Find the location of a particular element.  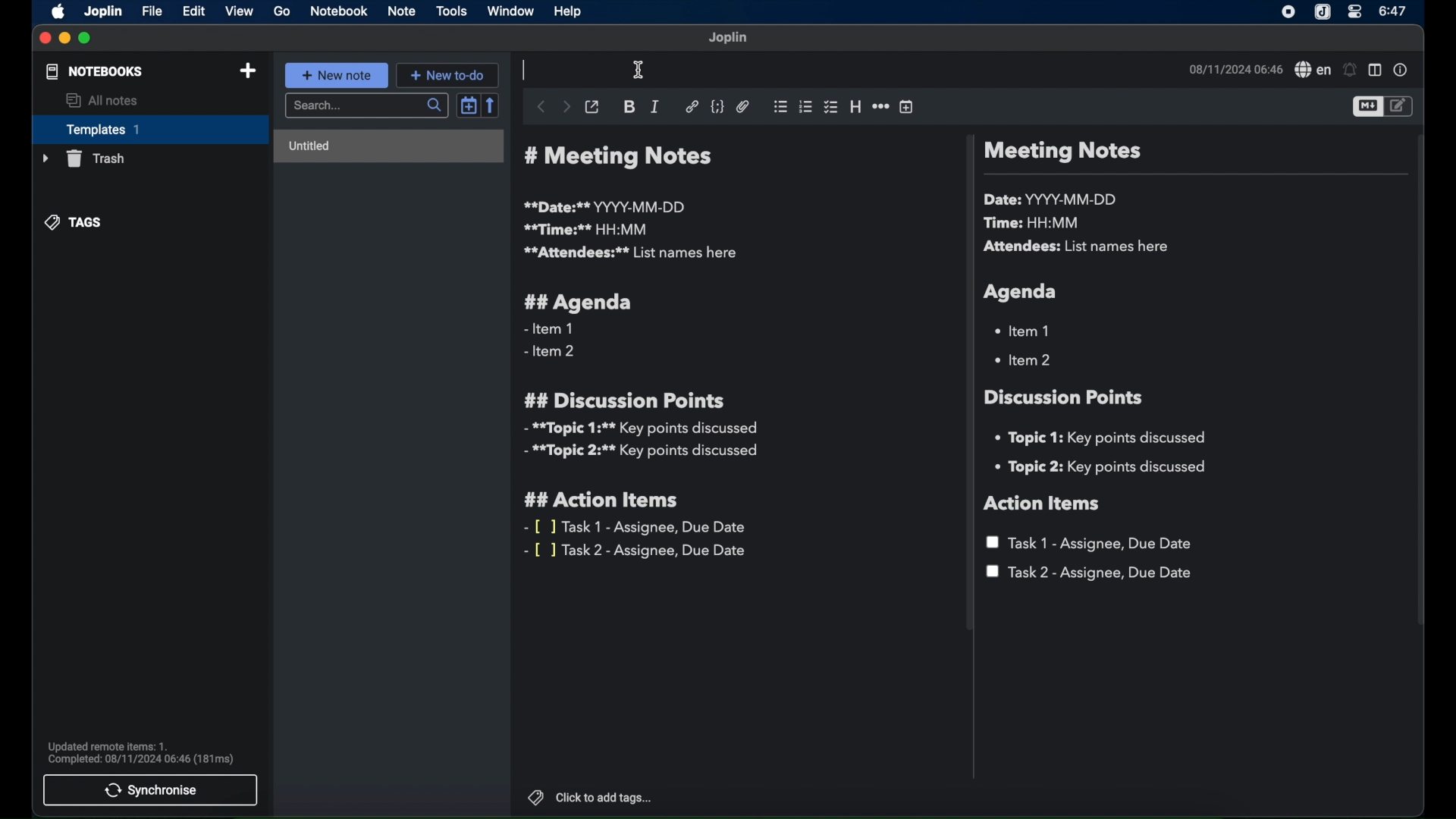

time: HH:MM is located at coordinates (1035, 224).